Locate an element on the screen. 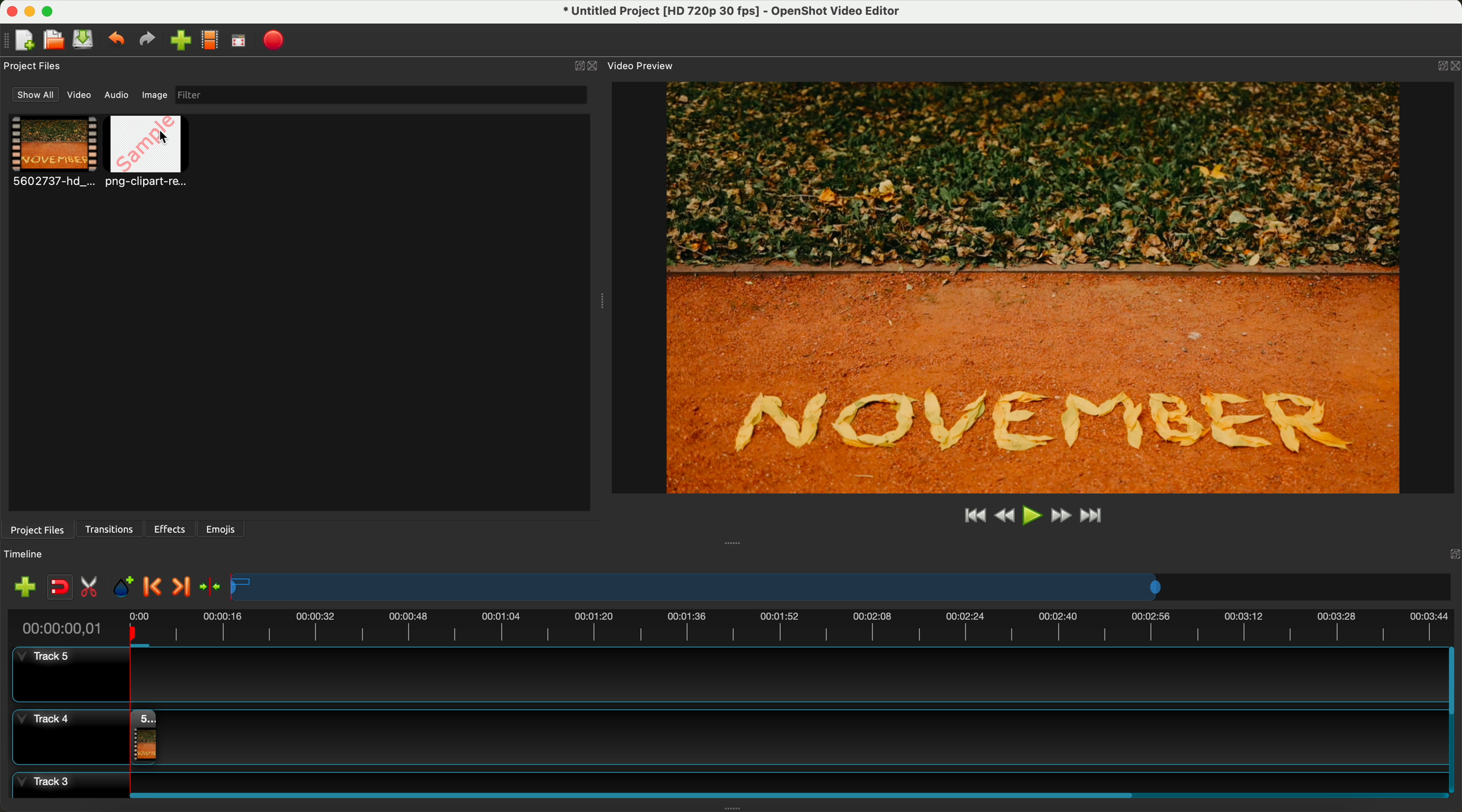 The width and height of the screenshot is (1462, 812). video is located at coordinates (54, 153).